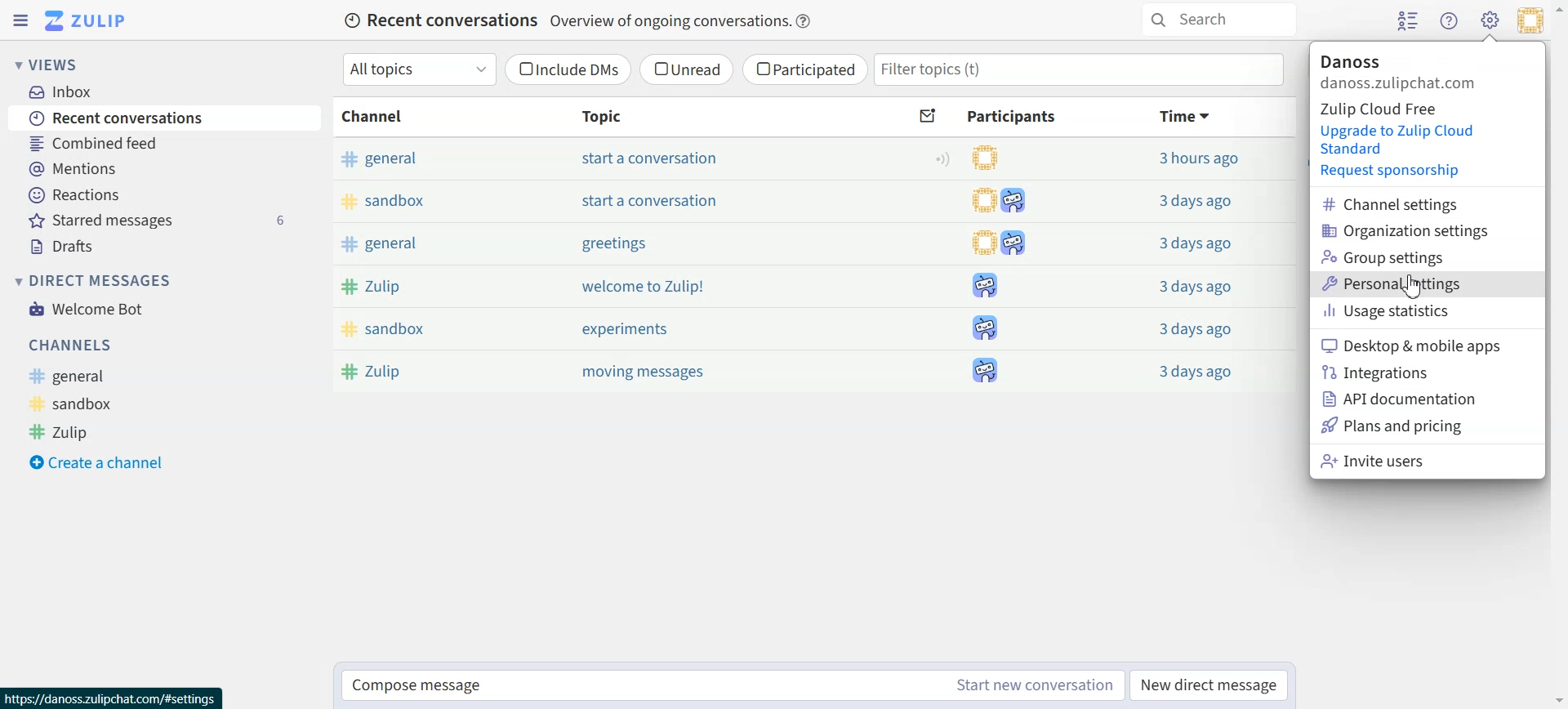 The height and width of the screenshot is (709, 1568). I want to click on Plans and Pricing, so click(1428, 426).